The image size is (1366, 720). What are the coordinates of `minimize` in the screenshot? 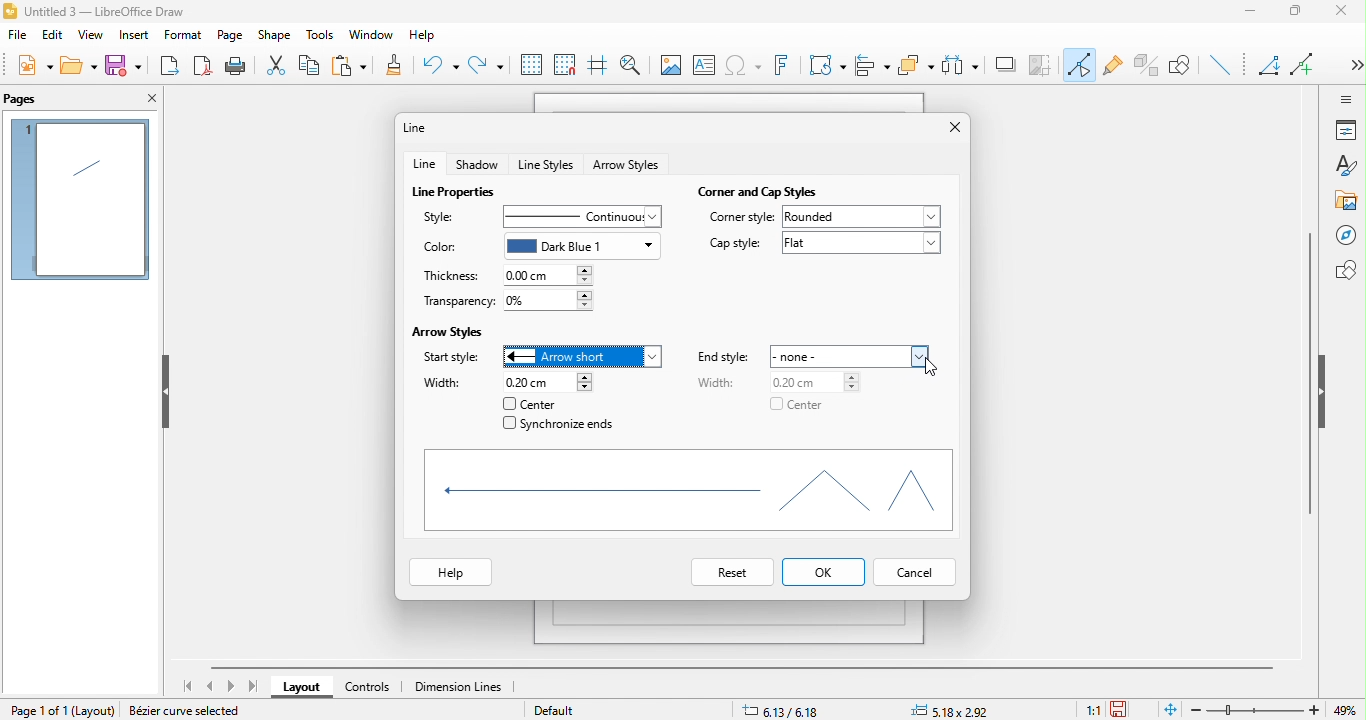 It's located at (1255, 14).